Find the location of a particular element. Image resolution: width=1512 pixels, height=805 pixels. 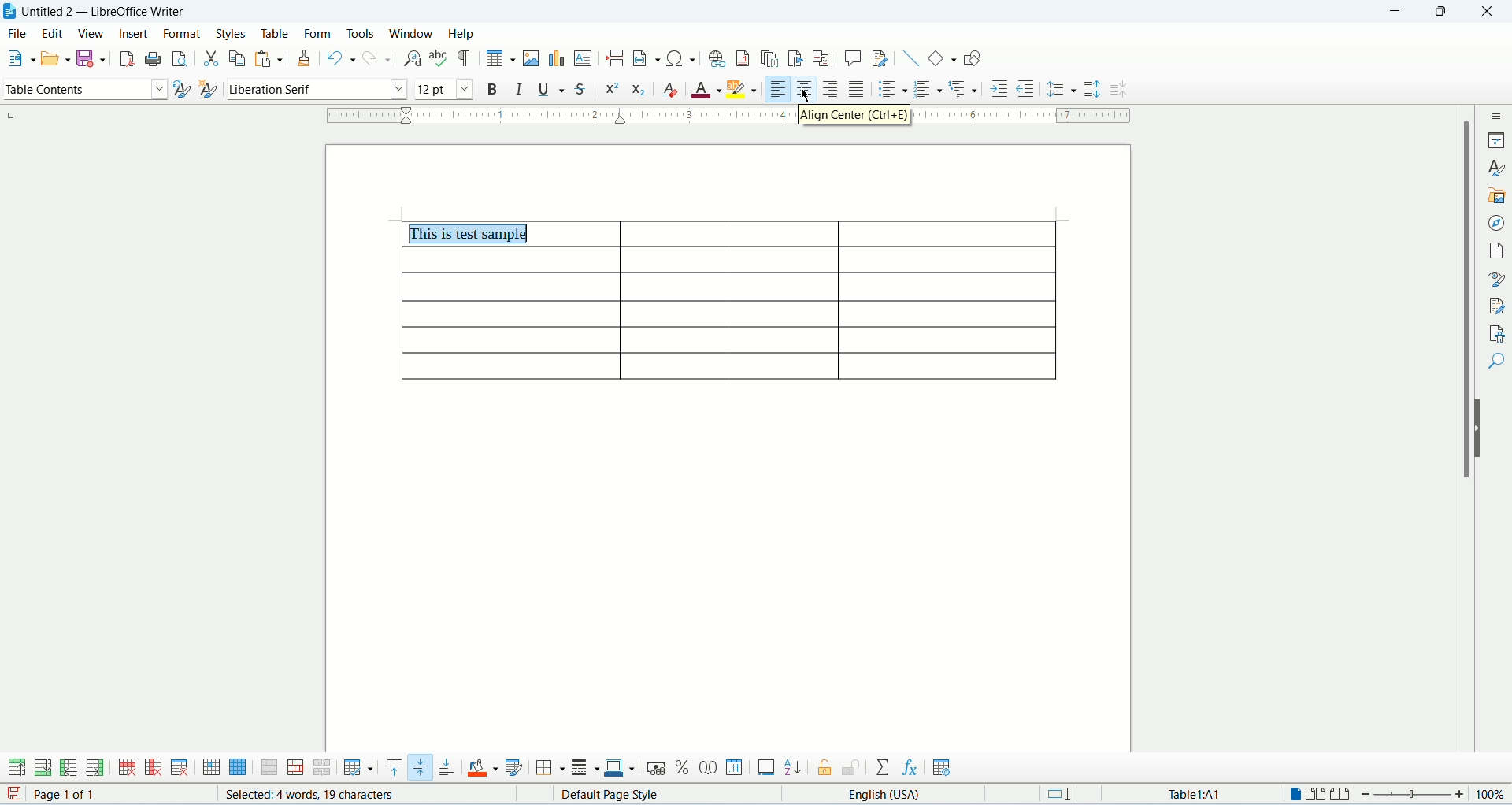

border style is located at coordinates (586, 768).